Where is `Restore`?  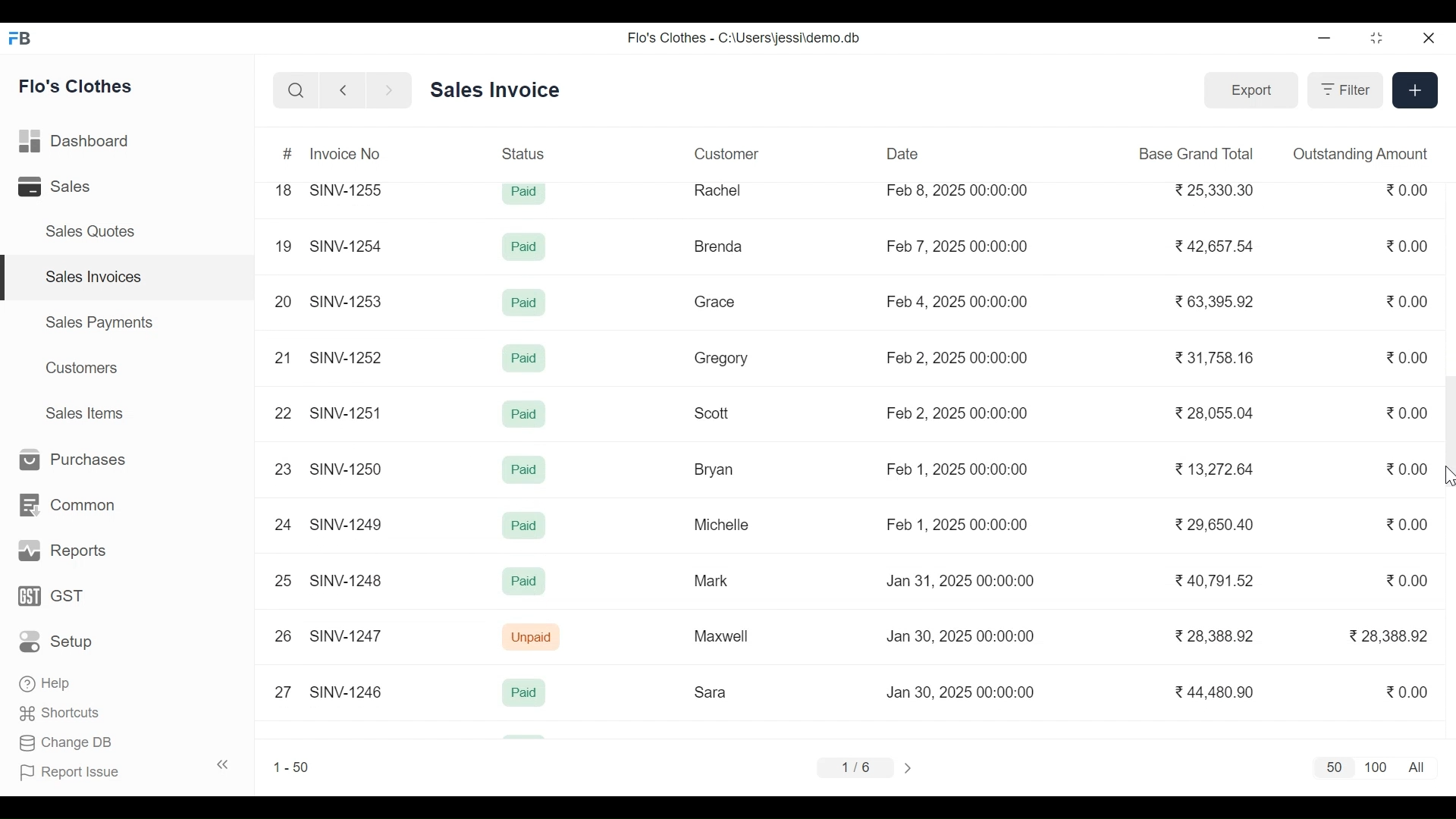
Restore is located at coordinates (1377, 39).